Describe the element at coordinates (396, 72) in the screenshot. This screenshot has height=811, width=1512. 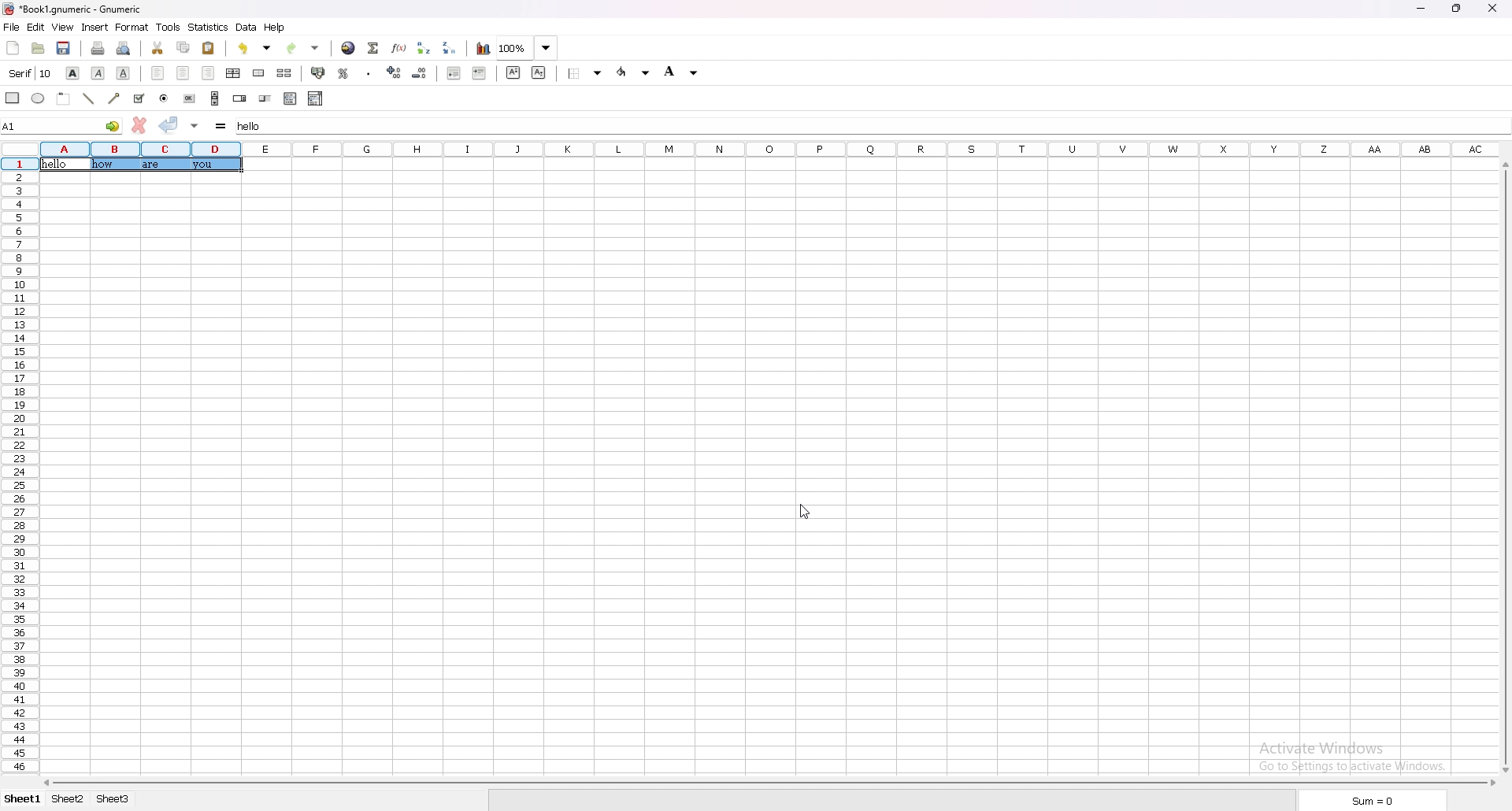
I see `increase decimal` at that location.